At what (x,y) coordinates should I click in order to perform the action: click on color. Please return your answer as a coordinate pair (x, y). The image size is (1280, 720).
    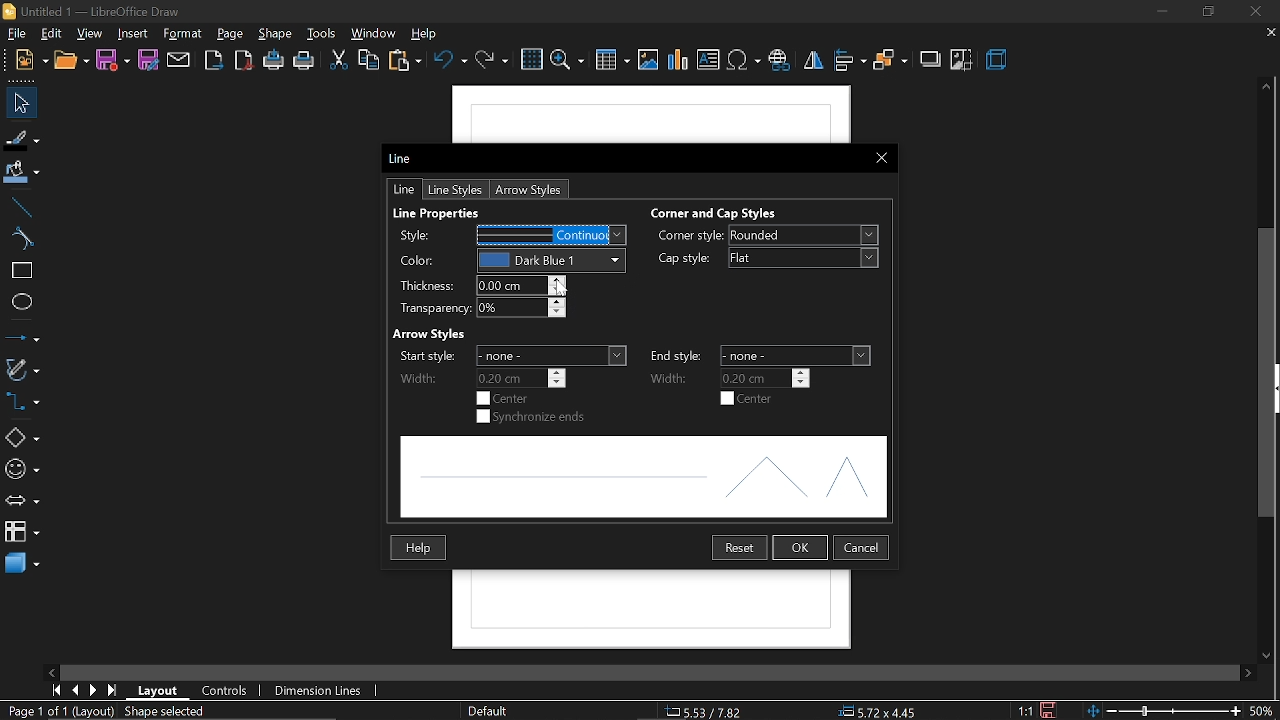
    Looking at the image, I should click on (554, 259).